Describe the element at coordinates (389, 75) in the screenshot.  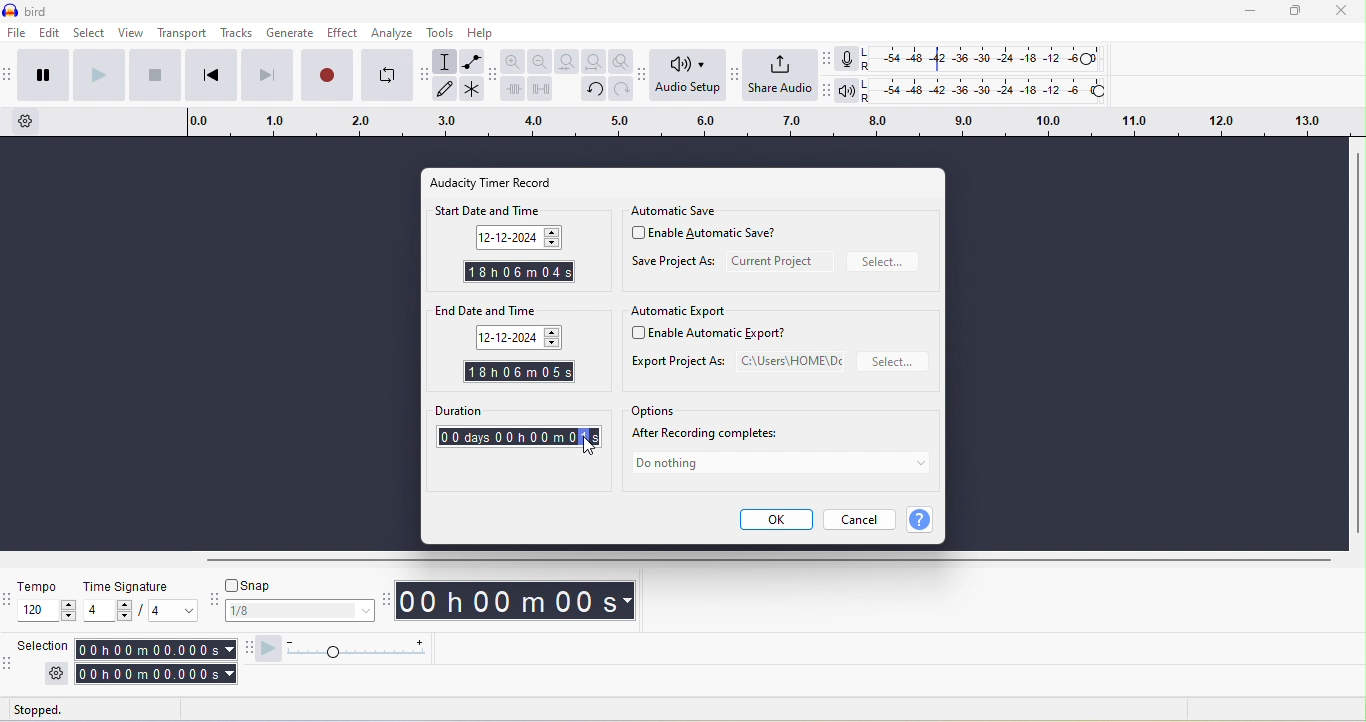
I see `enable looping` at that location.